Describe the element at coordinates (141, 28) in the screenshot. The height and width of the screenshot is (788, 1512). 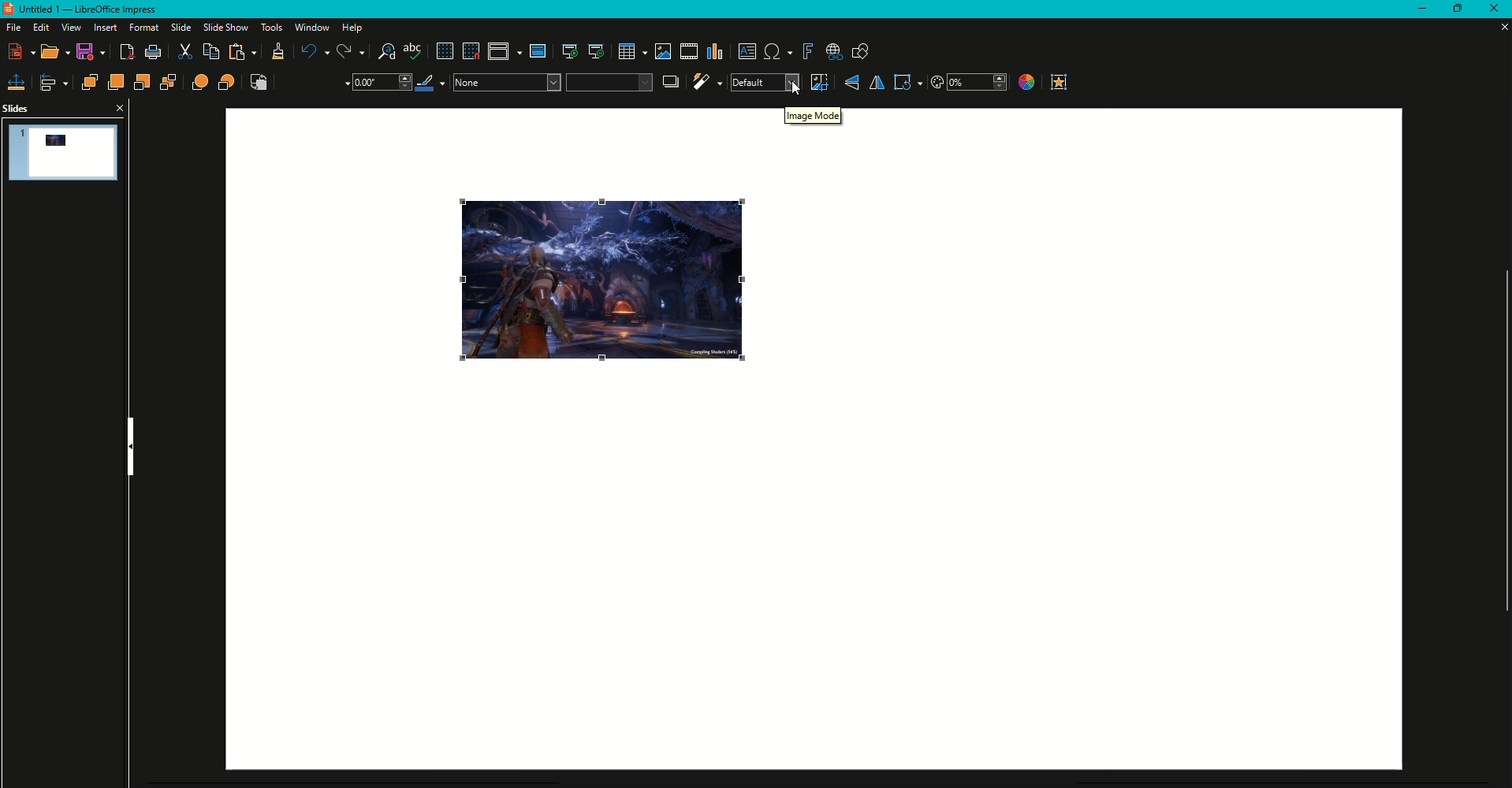
I see `Format` at that location.